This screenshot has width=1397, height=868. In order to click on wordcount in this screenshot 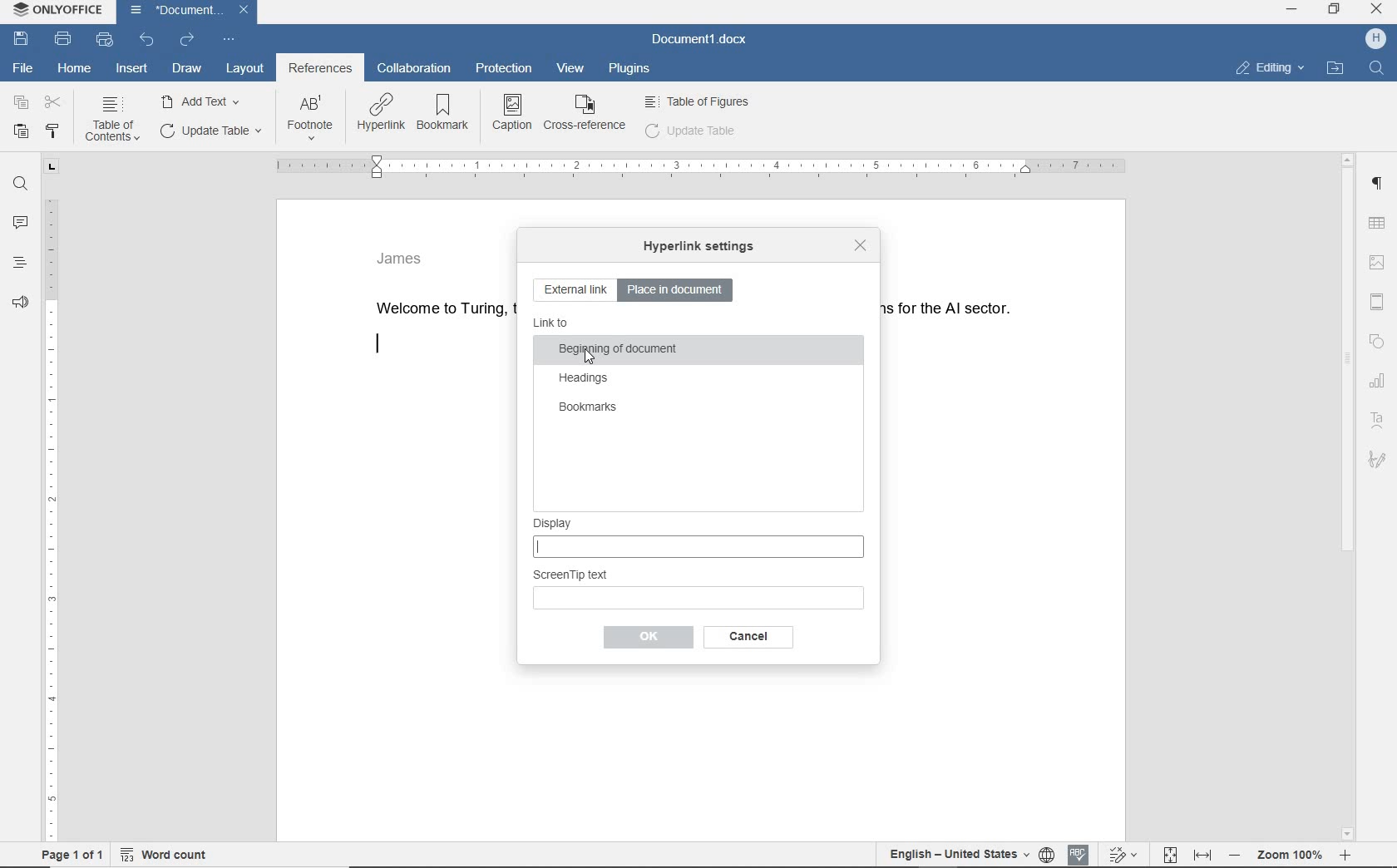, I will do `click(168, 855)`.